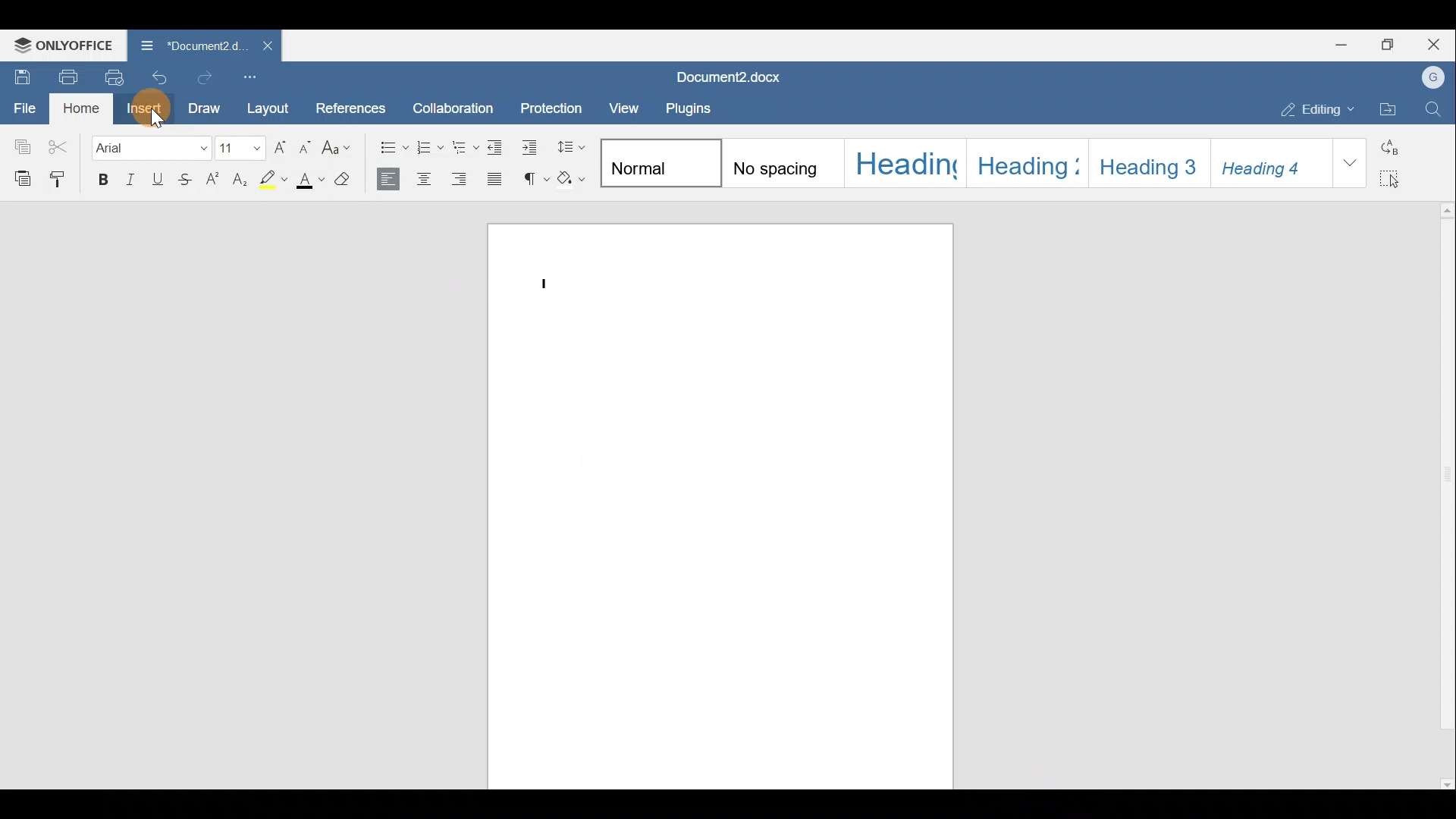 The image size is (1456, 819). I want to click on Highlight color, so click(272, 183).